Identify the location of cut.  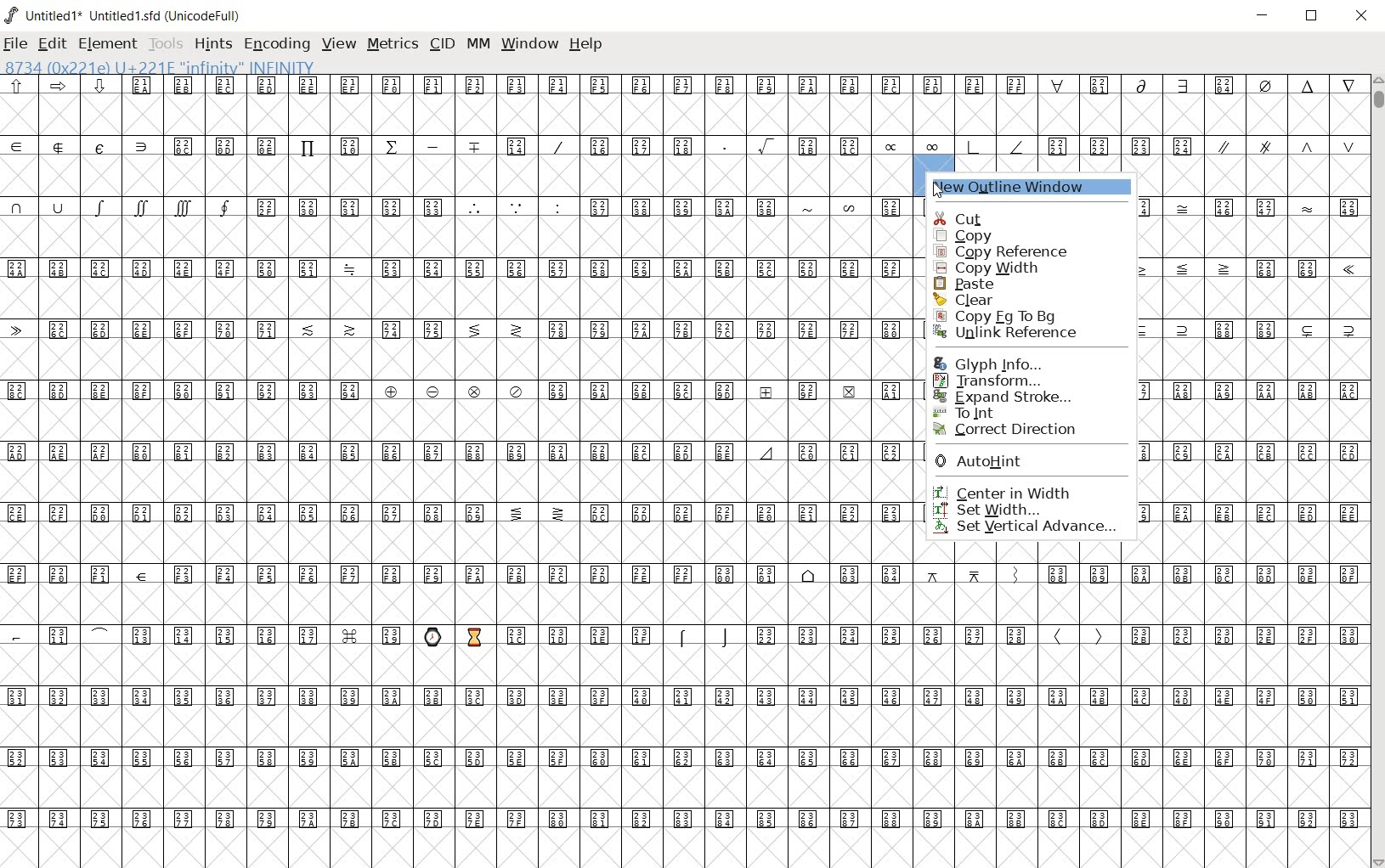
(968, 216).